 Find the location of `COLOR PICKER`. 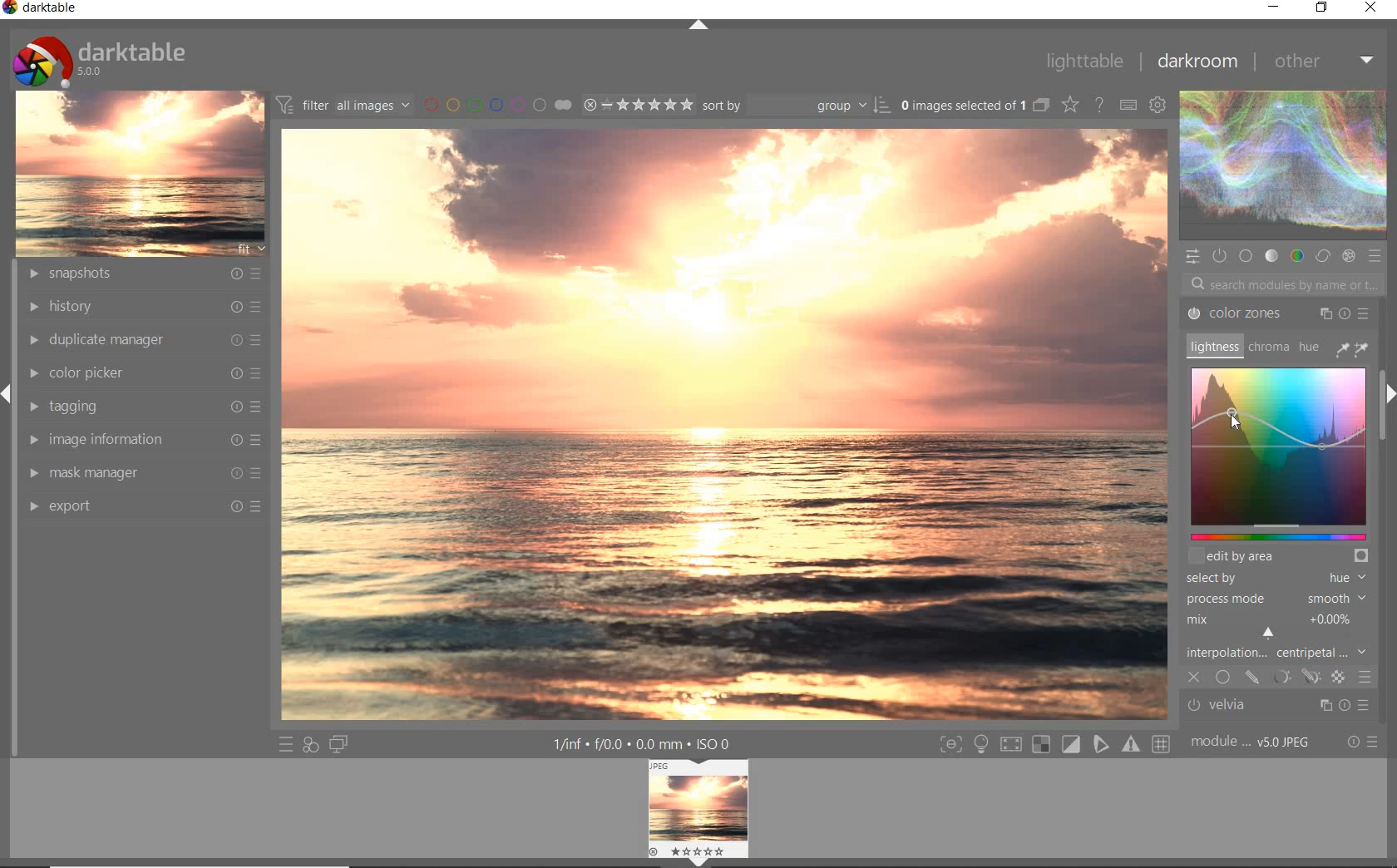

COLOR PICKER is located at coordinates (148, 372).